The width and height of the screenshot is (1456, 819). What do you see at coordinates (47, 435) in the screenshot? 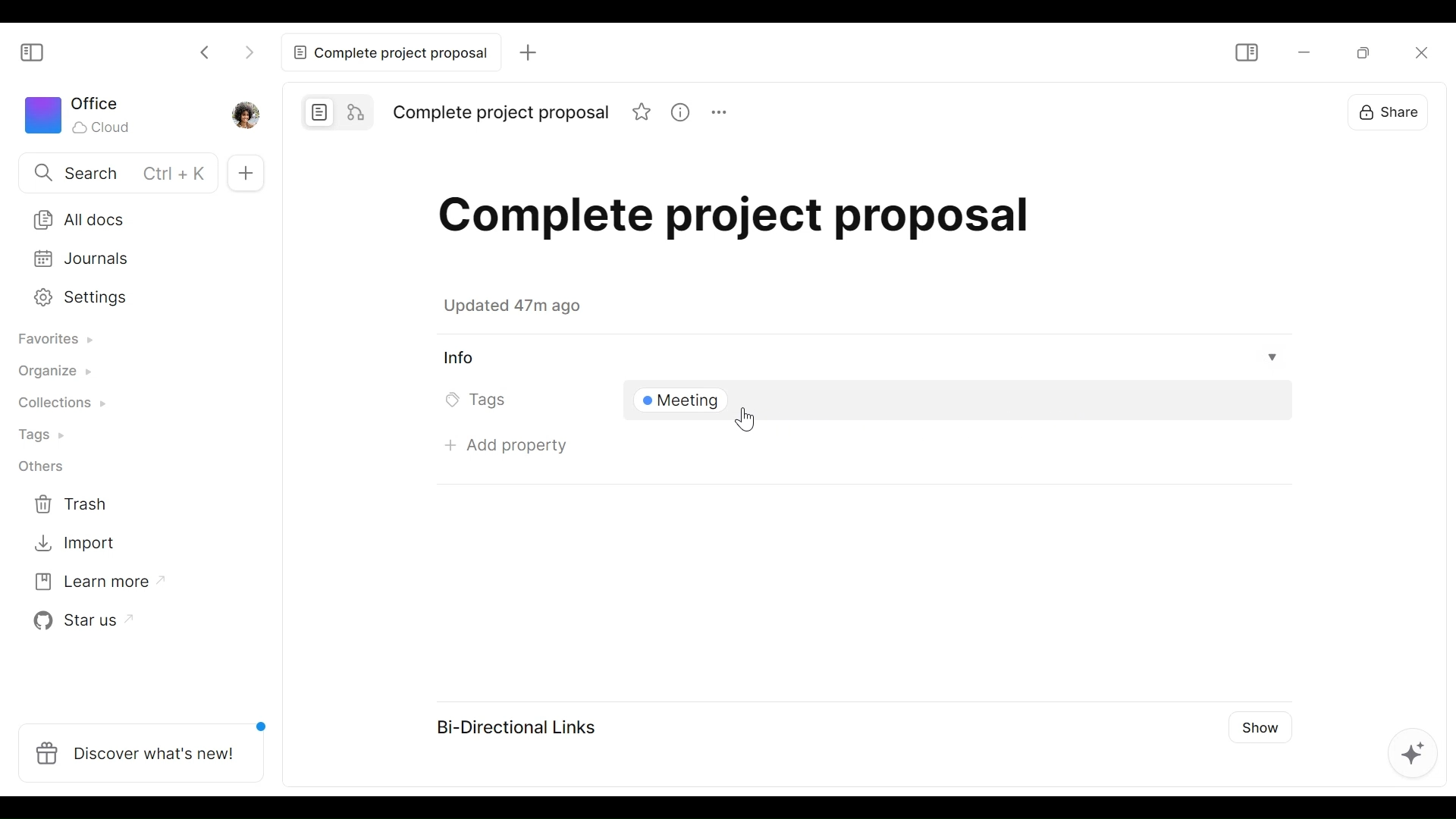
I see `Tags` at bounding box center [47, 435].